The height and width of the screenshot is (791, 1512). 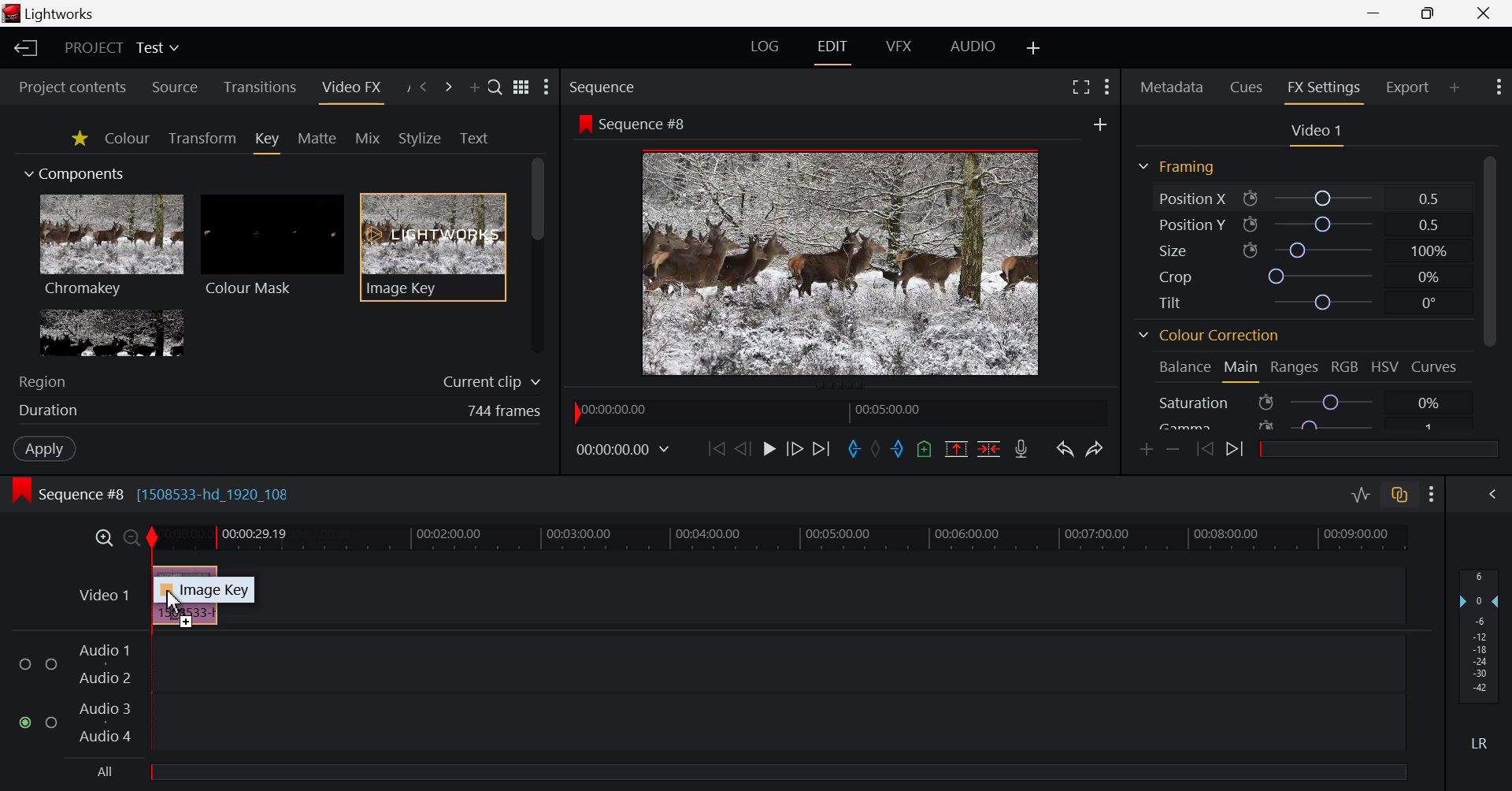 What do you see at coordinates (1498, 87) in the screenshot?
I see `Show Settings` at bounding box center [1498, 87].